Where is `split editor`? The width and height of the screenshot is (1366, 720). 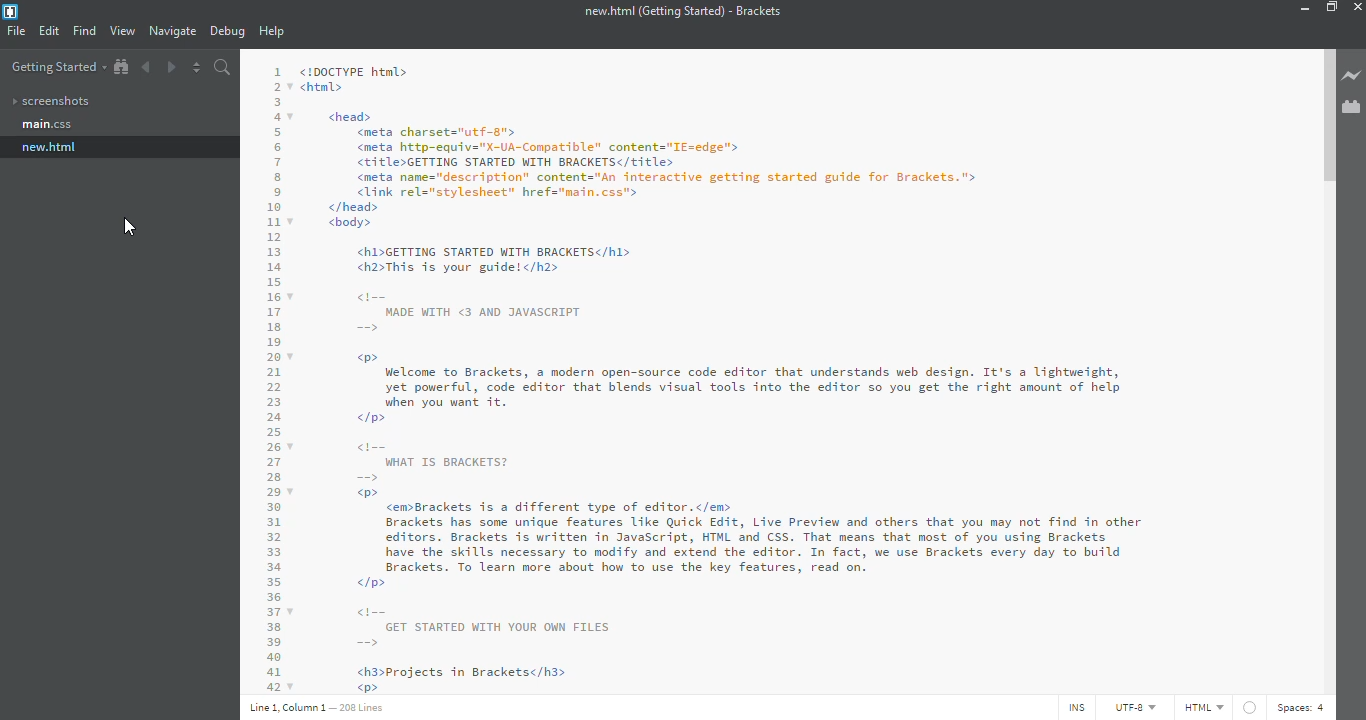
split editor is located at coordinates (197, 67).